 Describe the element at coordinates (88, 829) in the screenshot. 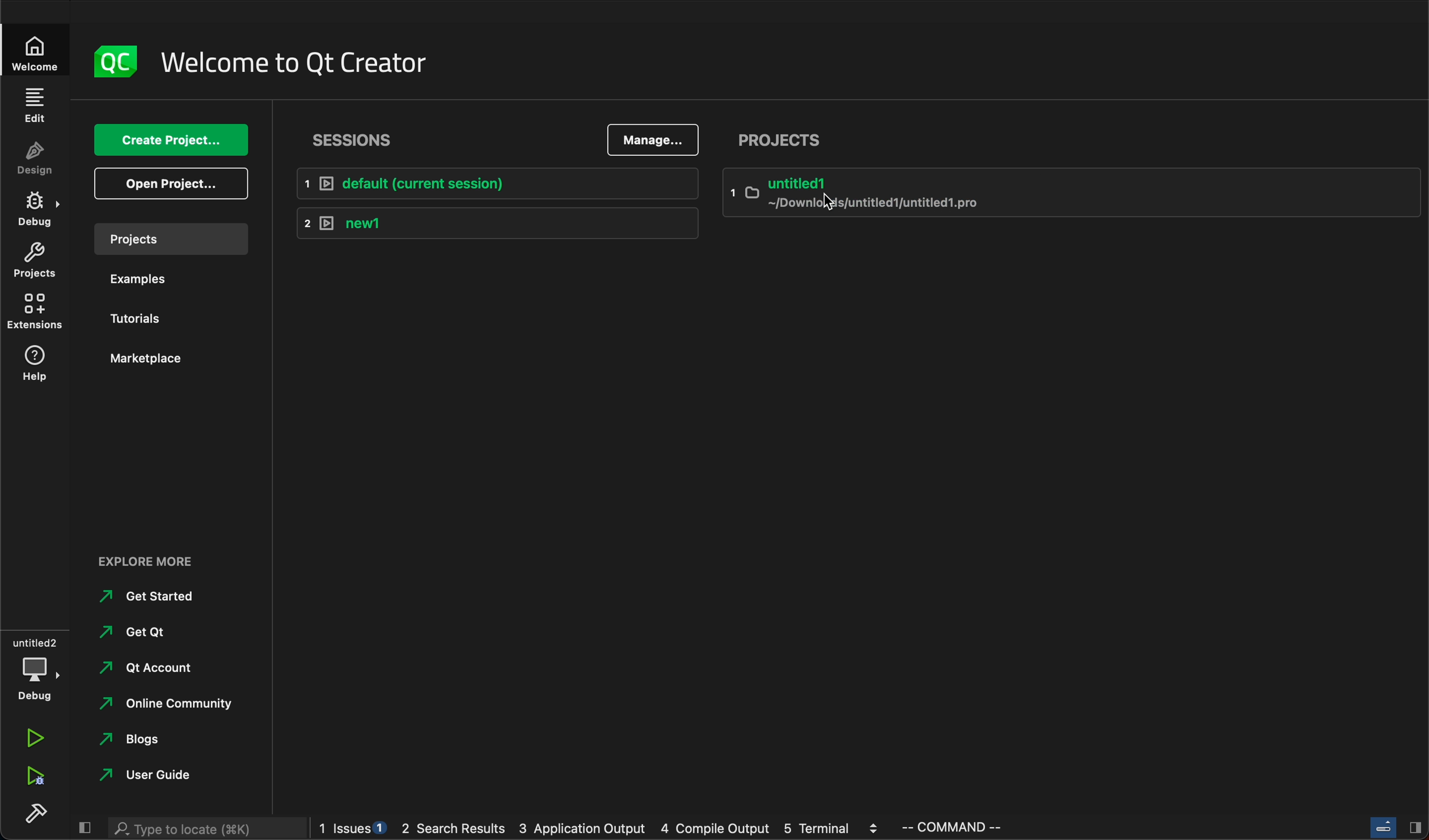

I see `close sidebar` at that location.